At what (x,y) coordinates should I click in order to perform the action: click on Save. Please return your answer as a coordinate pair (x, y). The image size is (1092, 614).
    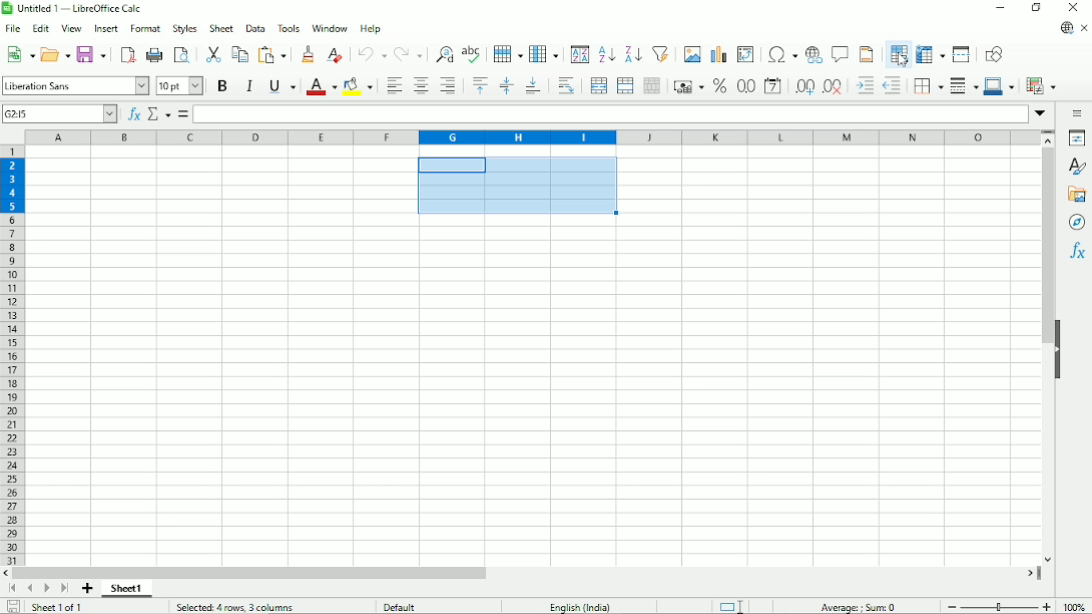
    Looking at the image, I should click on (91, 55).